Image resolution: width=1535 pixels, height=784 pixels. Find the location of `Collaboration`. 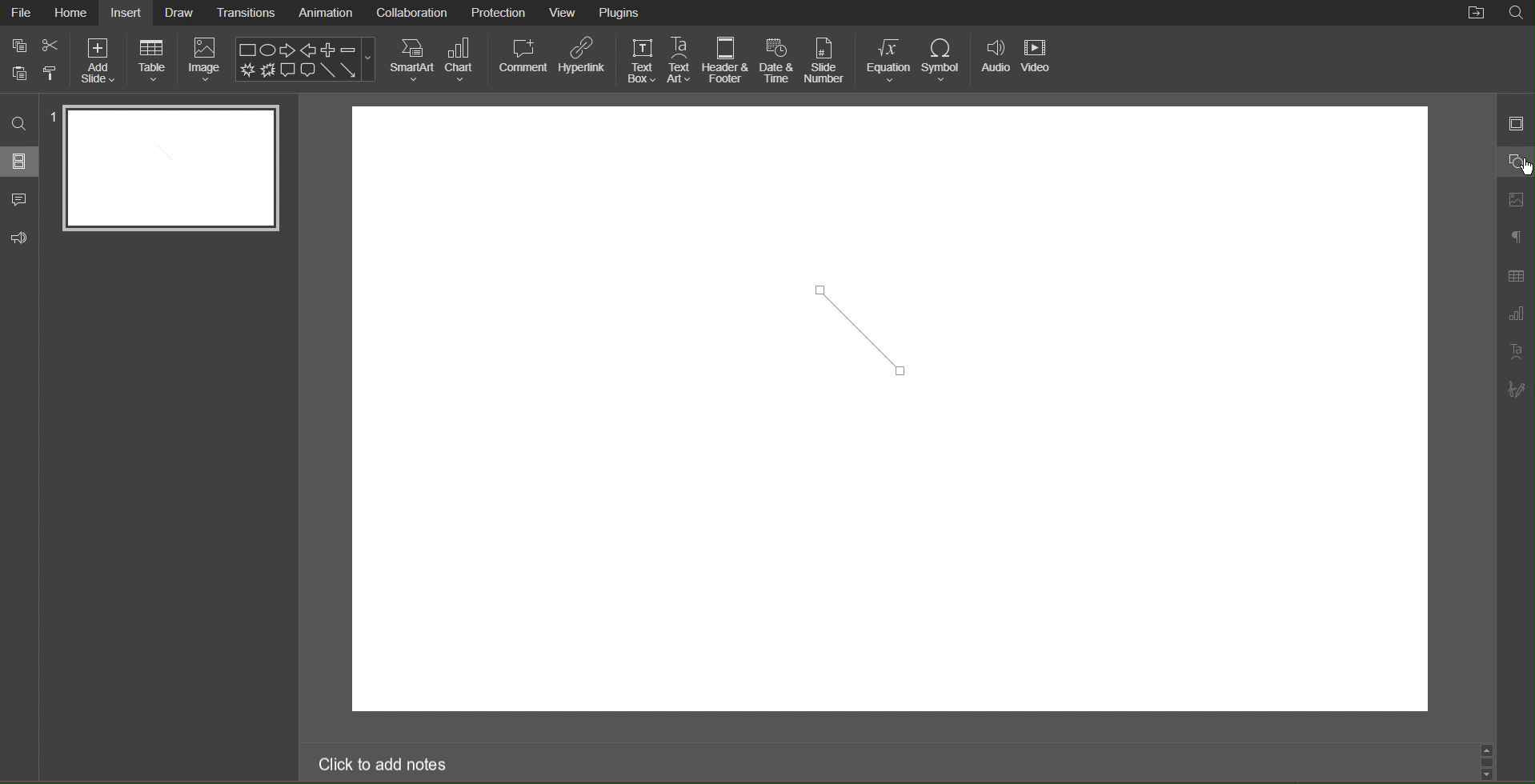

Collaboration is located at coordinates (410, 13).